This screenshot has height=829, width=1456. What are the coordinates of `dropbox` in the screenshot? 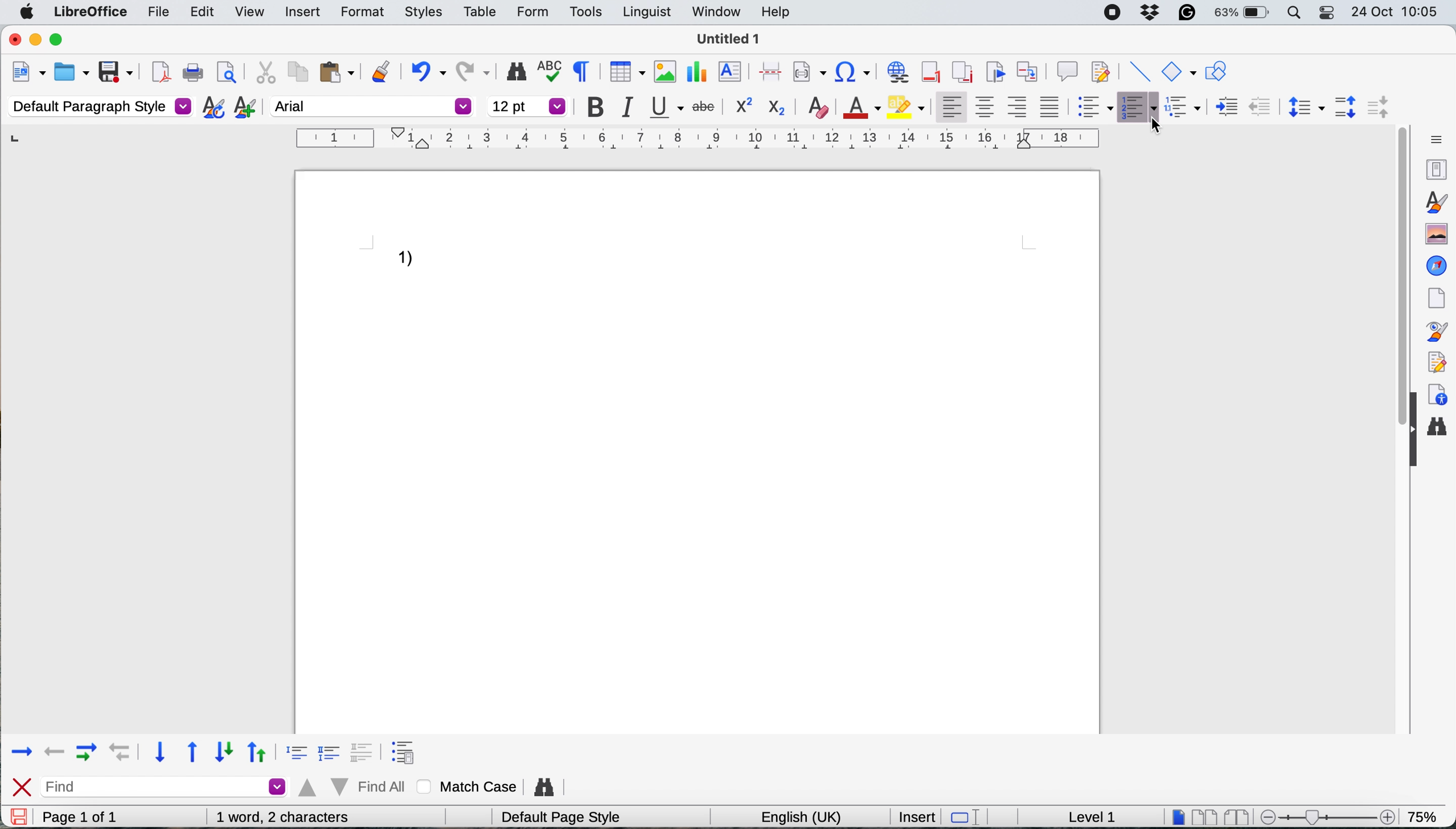 It's located at (1151, 11).